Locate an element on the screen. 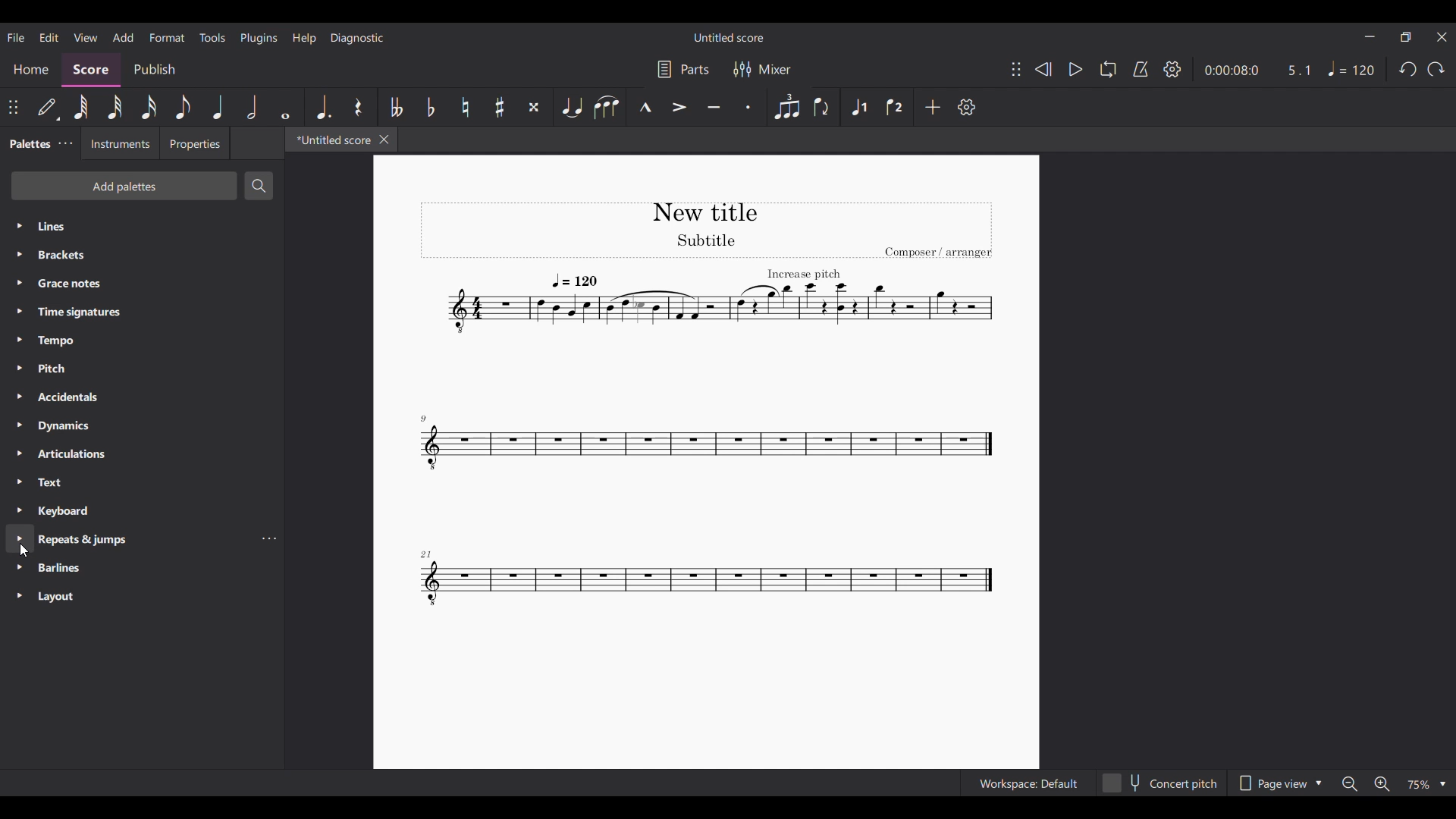 The height and width of the screenshot is (819, 1456). Repeats and jumps settings is located at coordinates (267, 538).